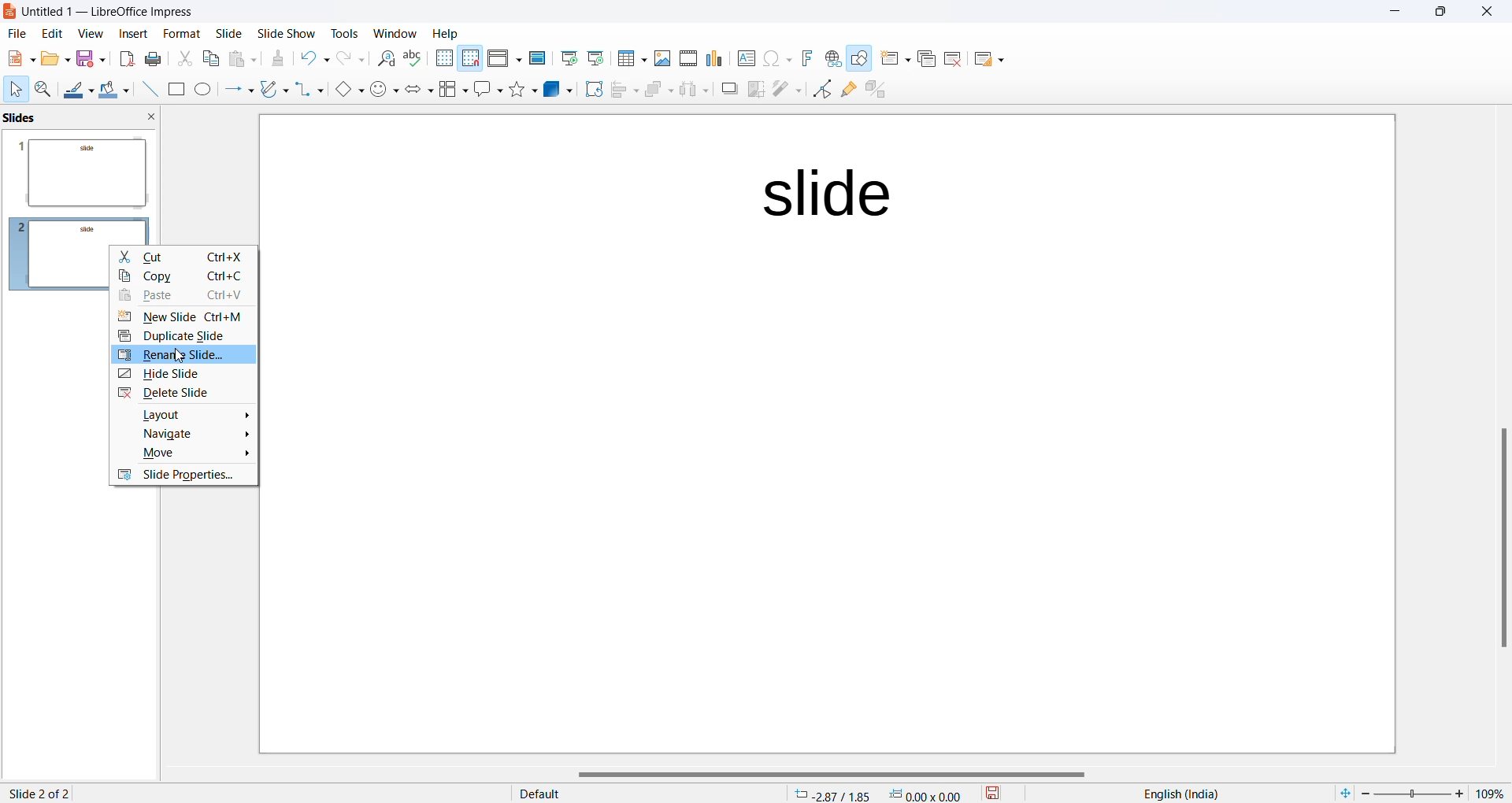  I want to click on filter, so click(786, 90).